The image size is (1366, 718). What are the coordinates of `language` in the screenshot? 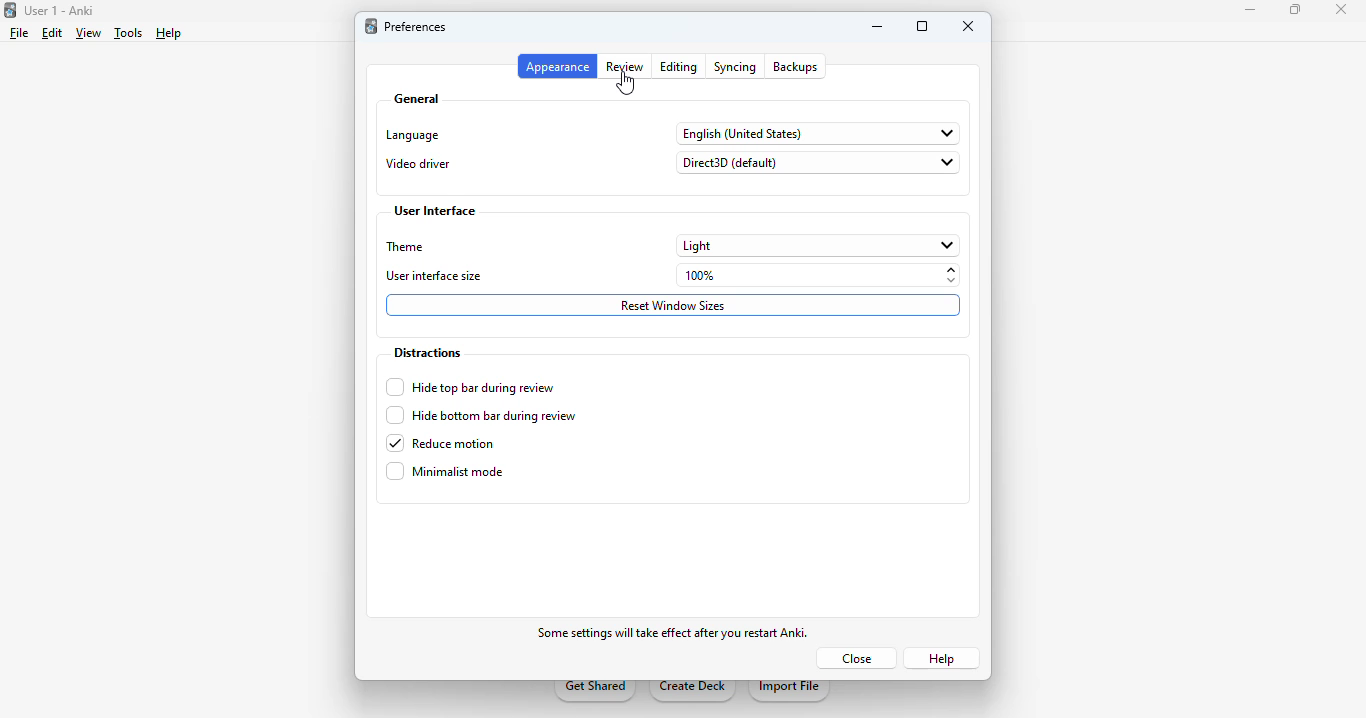 It's located at (413, 135).